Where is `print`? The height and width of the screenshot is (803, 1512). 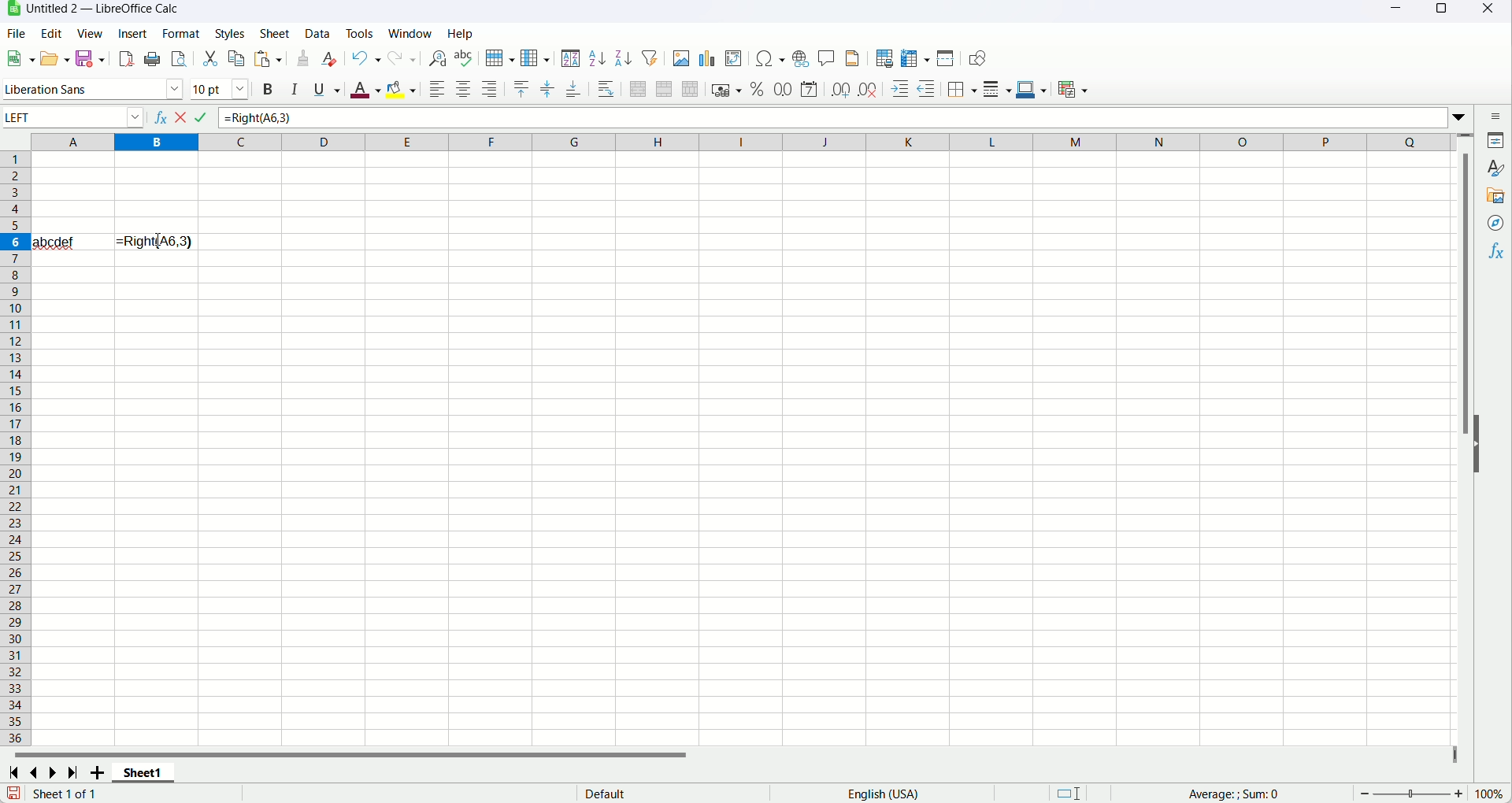 print is located at coordinates (153, 58).